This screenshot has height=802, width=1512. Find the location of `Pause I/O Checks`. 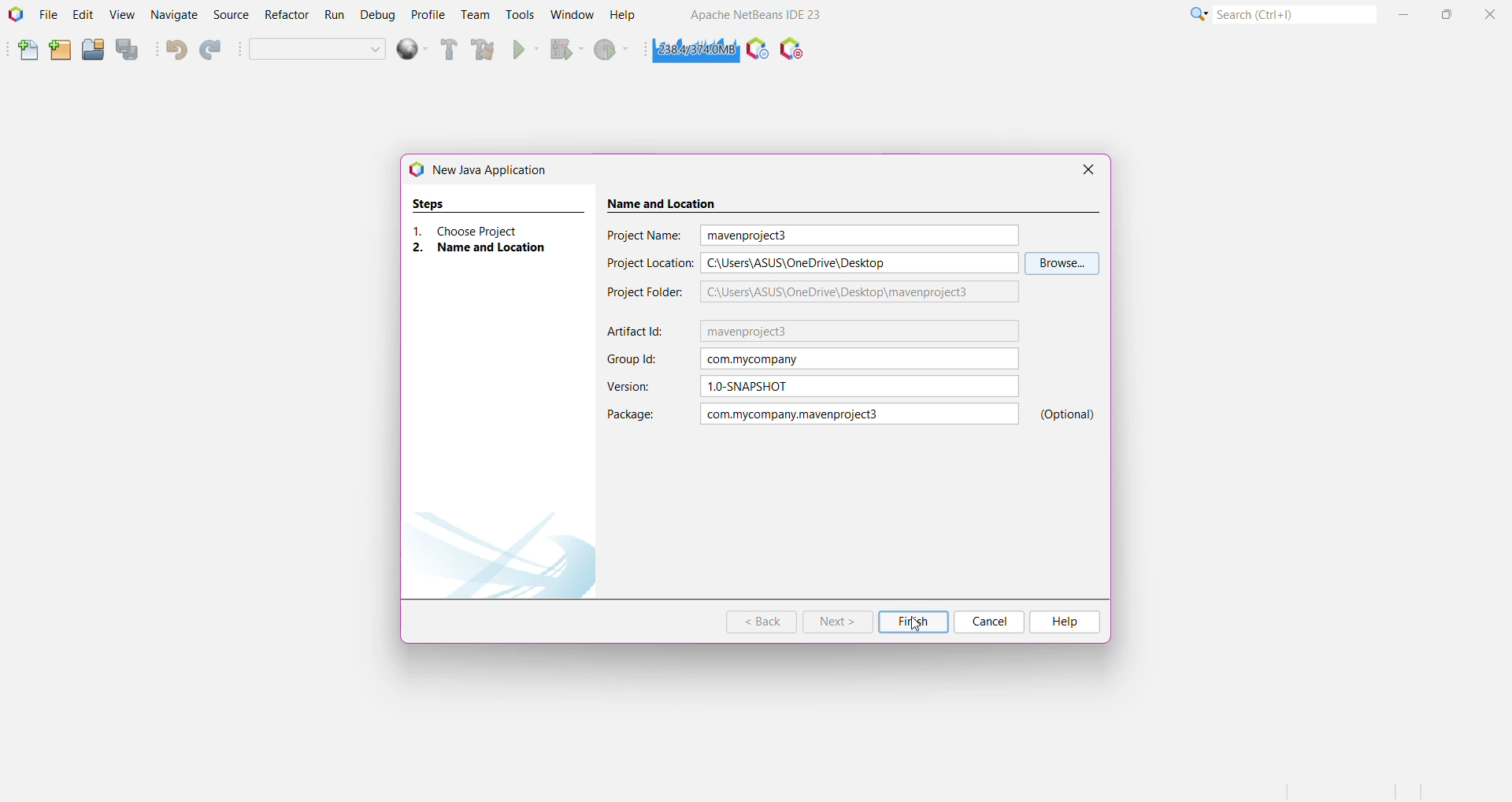

Pause I/O Checks is located at coordinates (793, 51).